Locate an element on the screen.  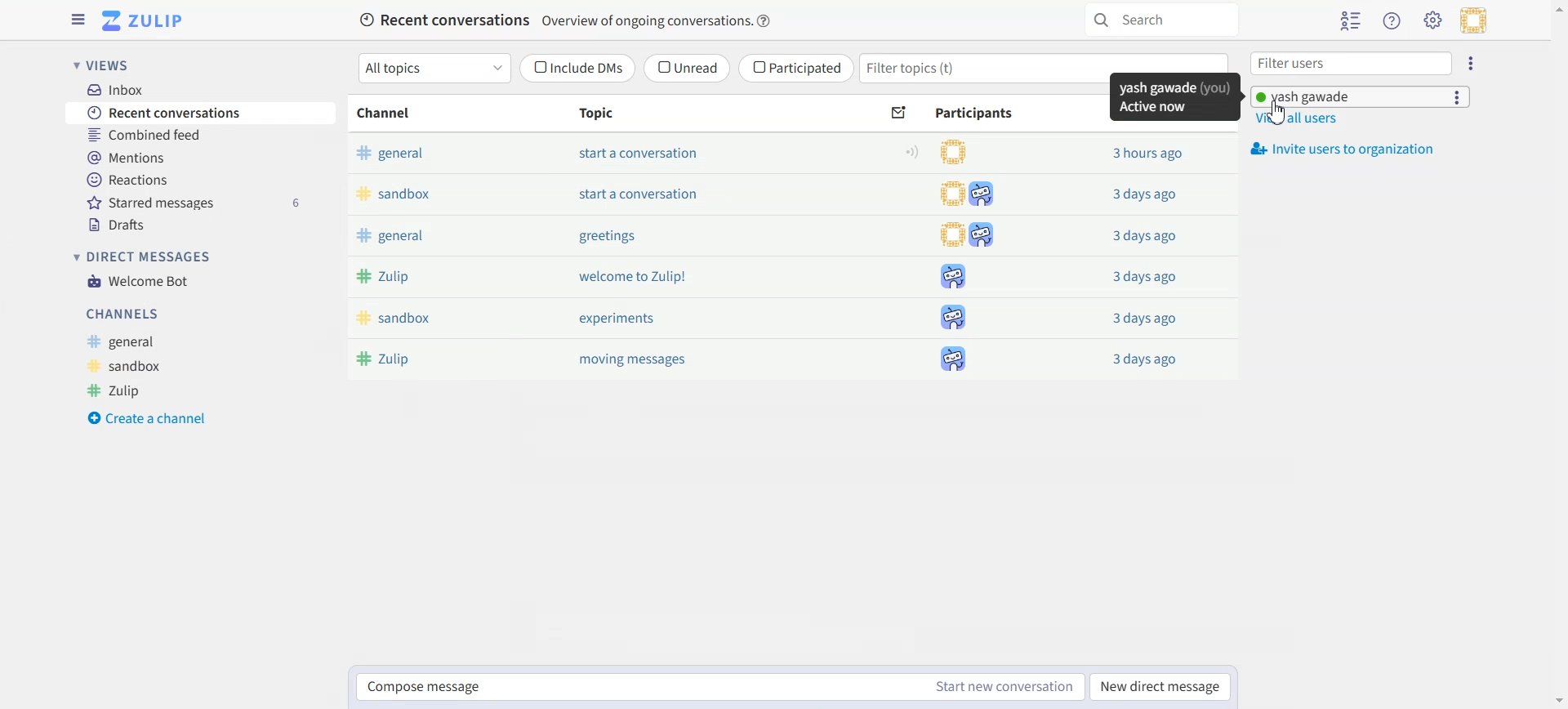
Inbox is located at coordinates (131, 91).